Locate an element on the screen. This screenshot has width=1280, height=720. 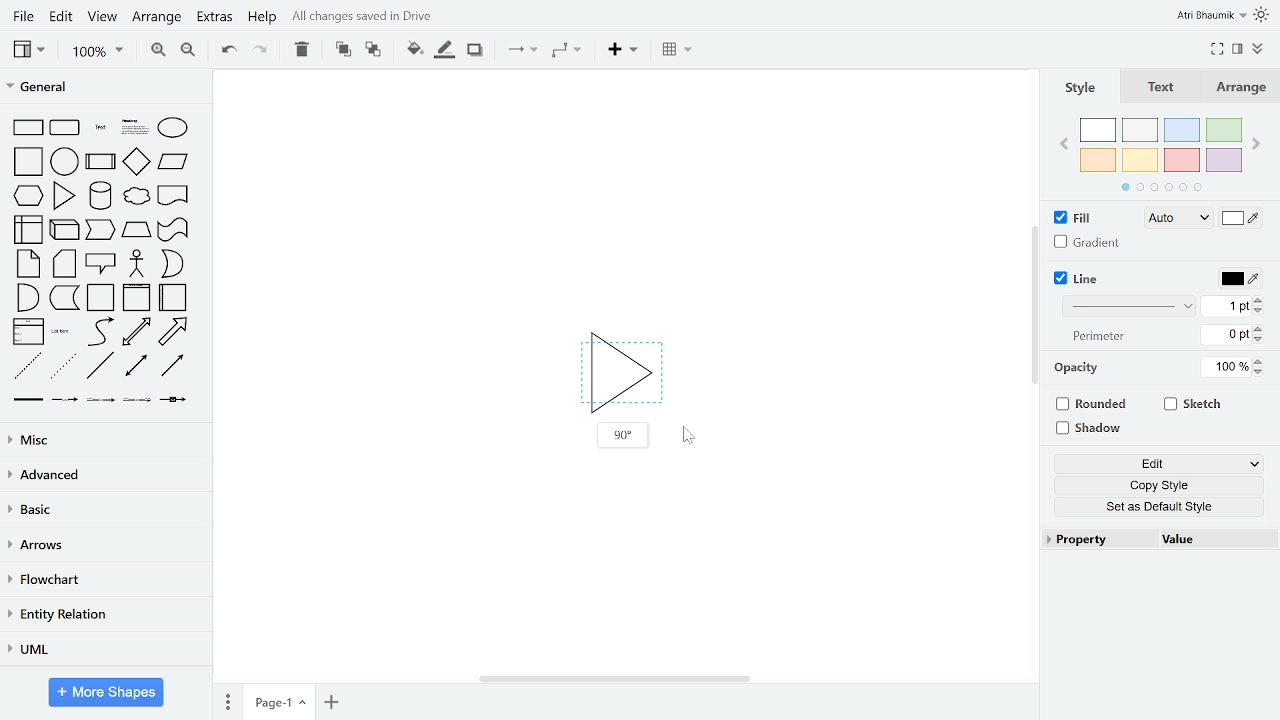
redo is located at coordinates (261, 50).